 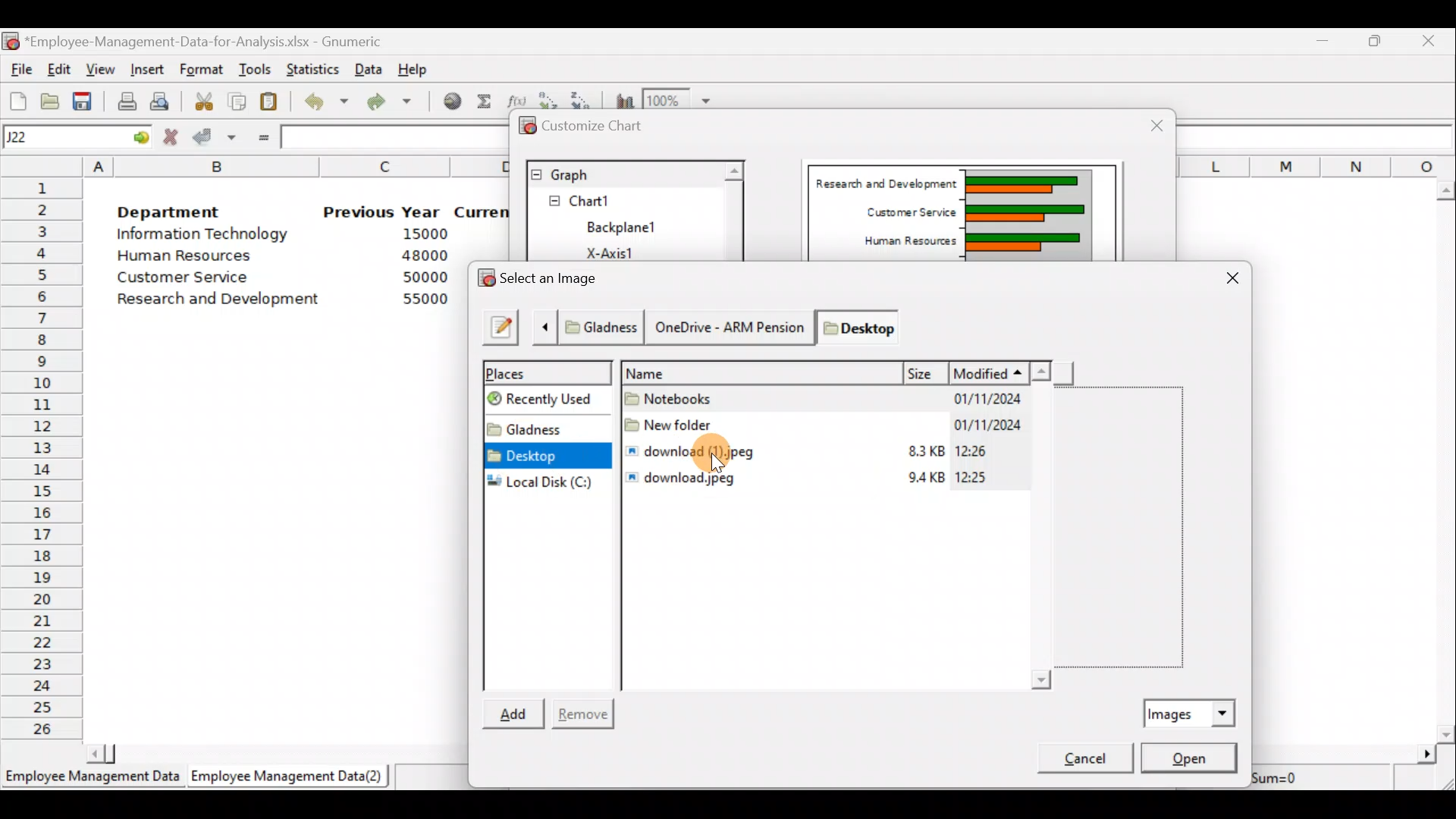 What do you see at coordinates (544, 278) in the screenshot?
I see `Select an image` at bounding box center [544, 278].